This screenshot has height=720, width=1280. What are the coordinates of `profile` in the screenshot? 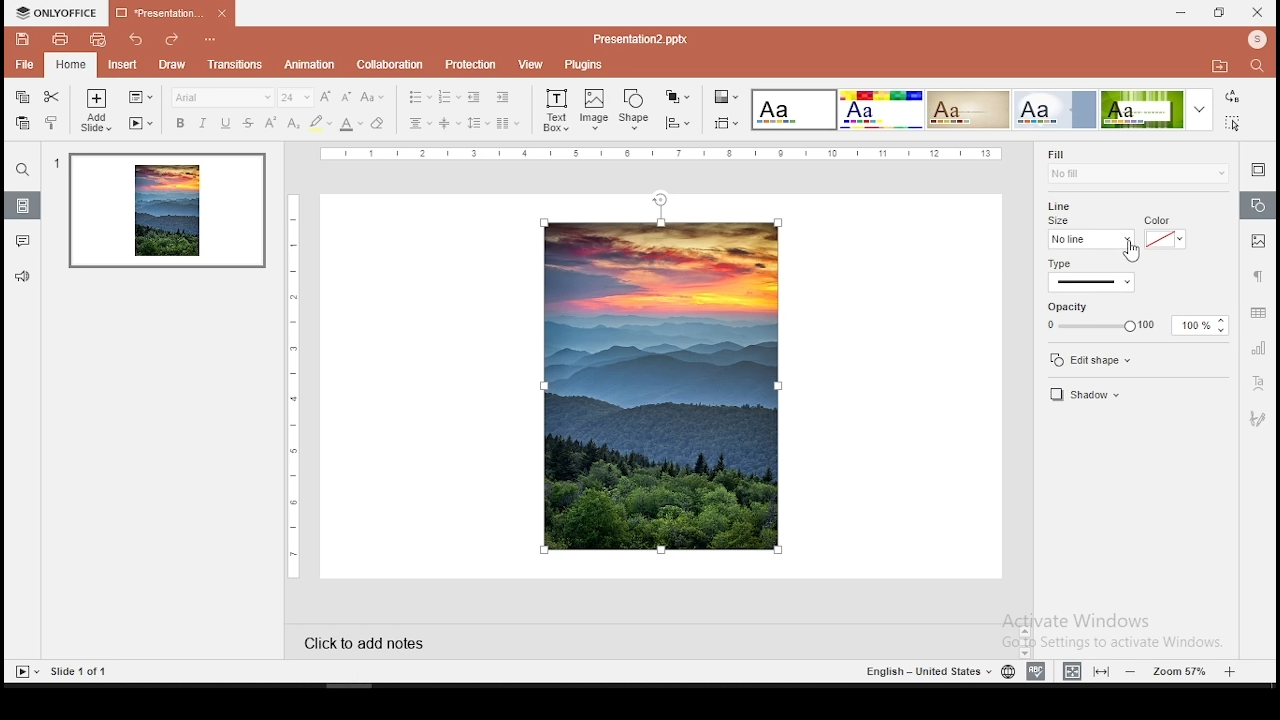 It's located at (1255, 40).